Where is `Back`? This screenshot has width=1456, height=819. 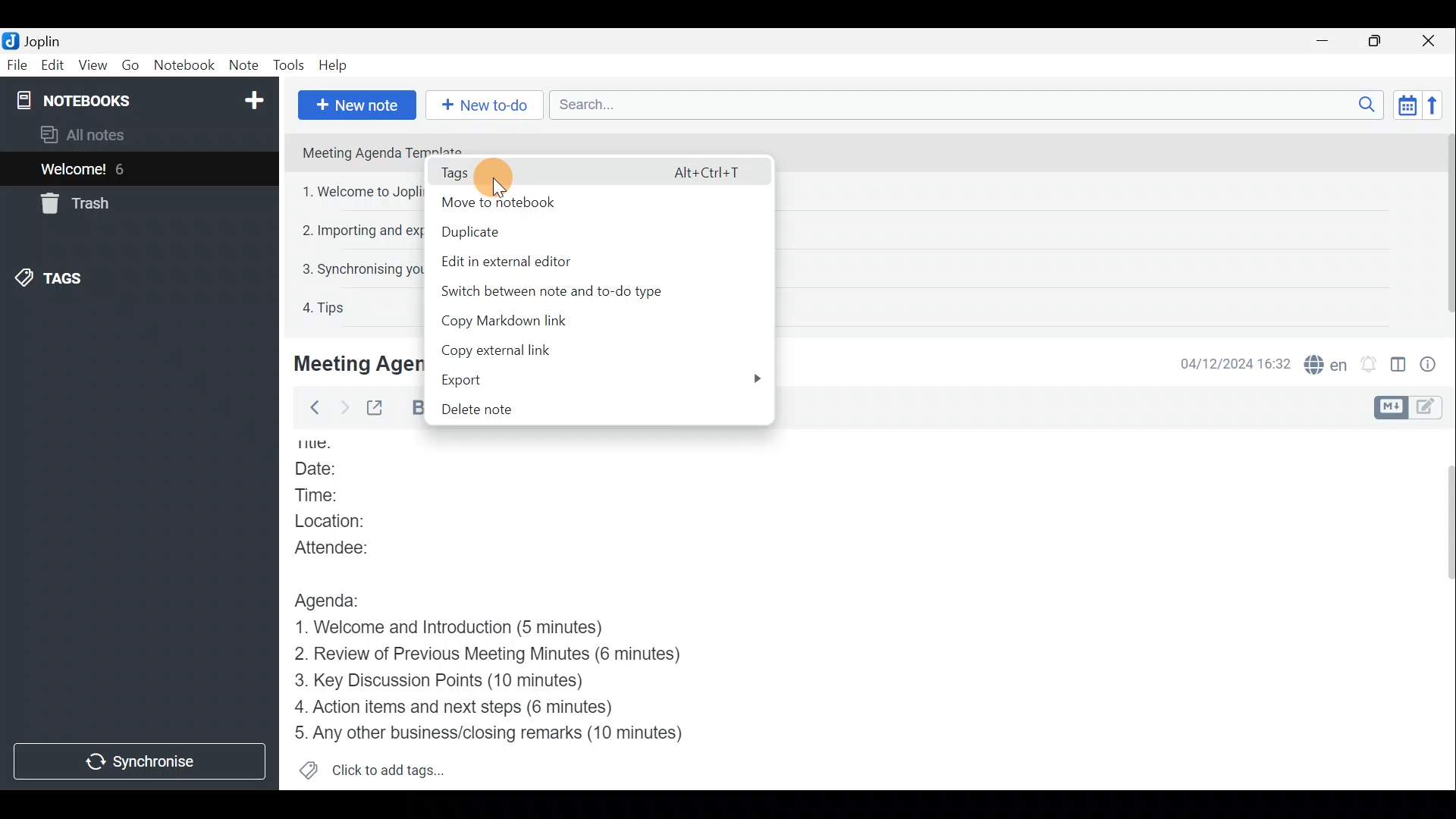 Back is located at coordinates (310, 410).